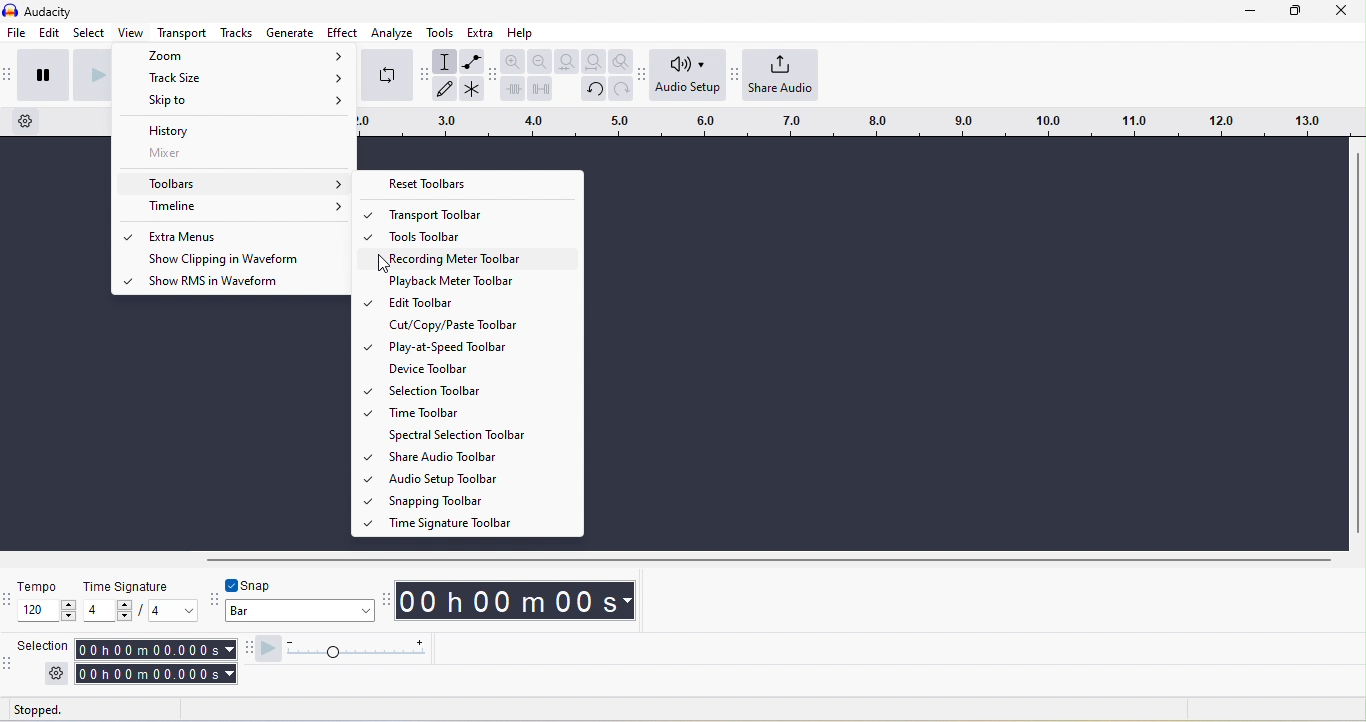  What do you see at coordinates (182, 32) in the screenshot?
I see `transport` at bounding box center [182, 32].